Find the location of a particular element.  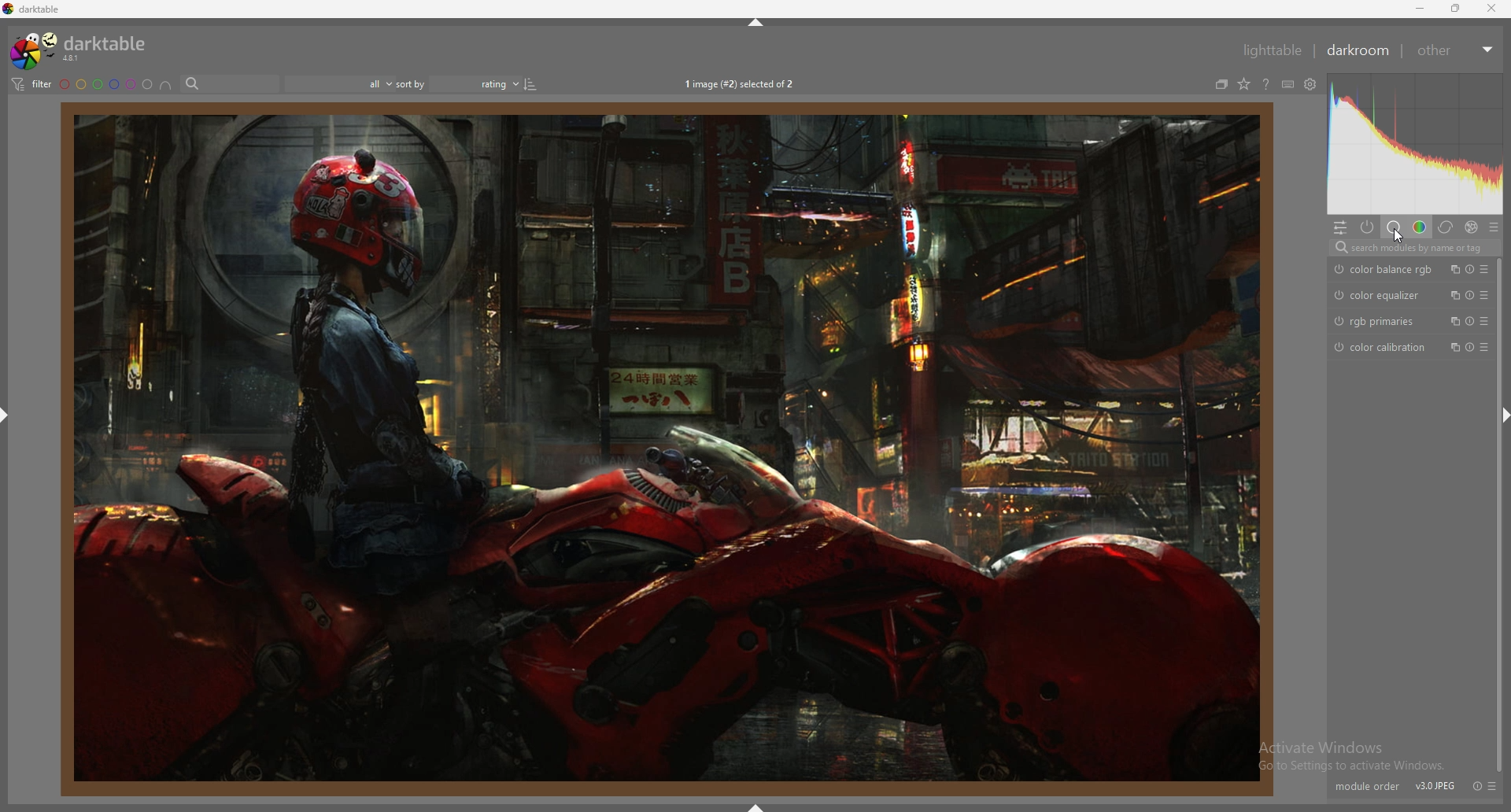

hide is located at coordinates (6, 416).